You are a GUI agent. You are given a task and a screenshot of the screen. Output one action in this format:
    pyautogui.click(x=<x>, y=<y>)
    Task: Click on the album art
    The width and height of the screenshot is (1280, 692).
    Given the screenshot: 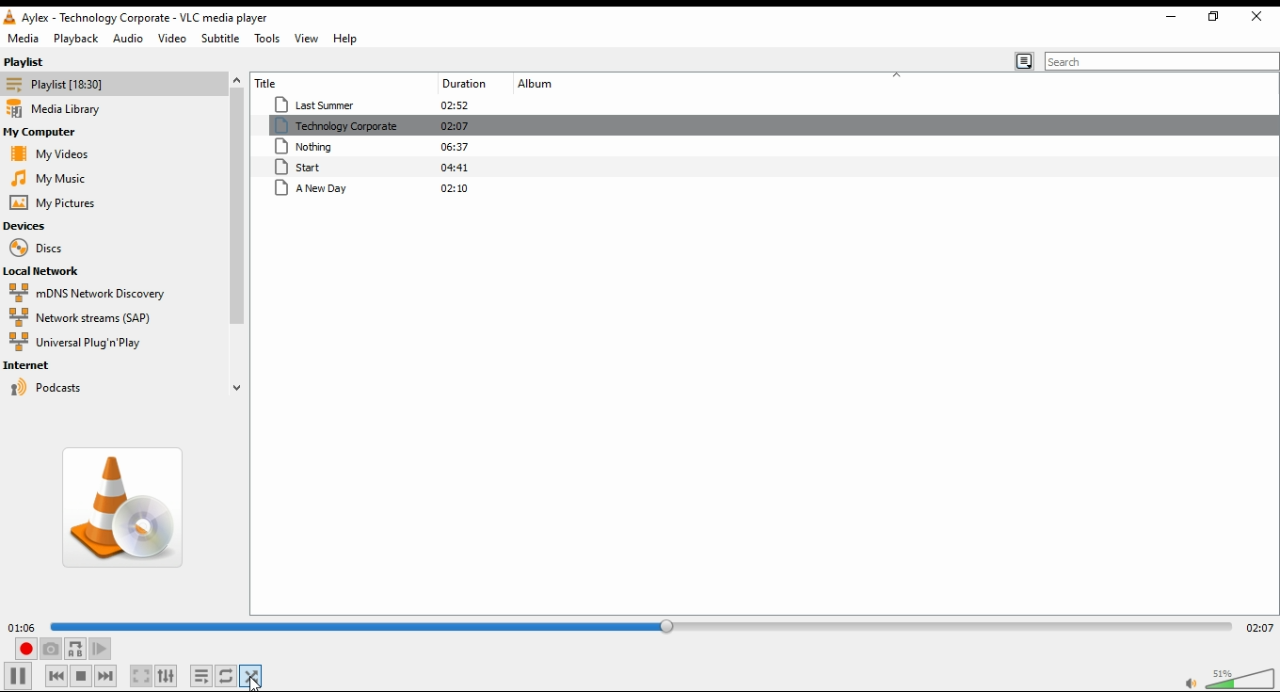 What is the action you would take?
    pyautogui.click(x=125, y=504)
    